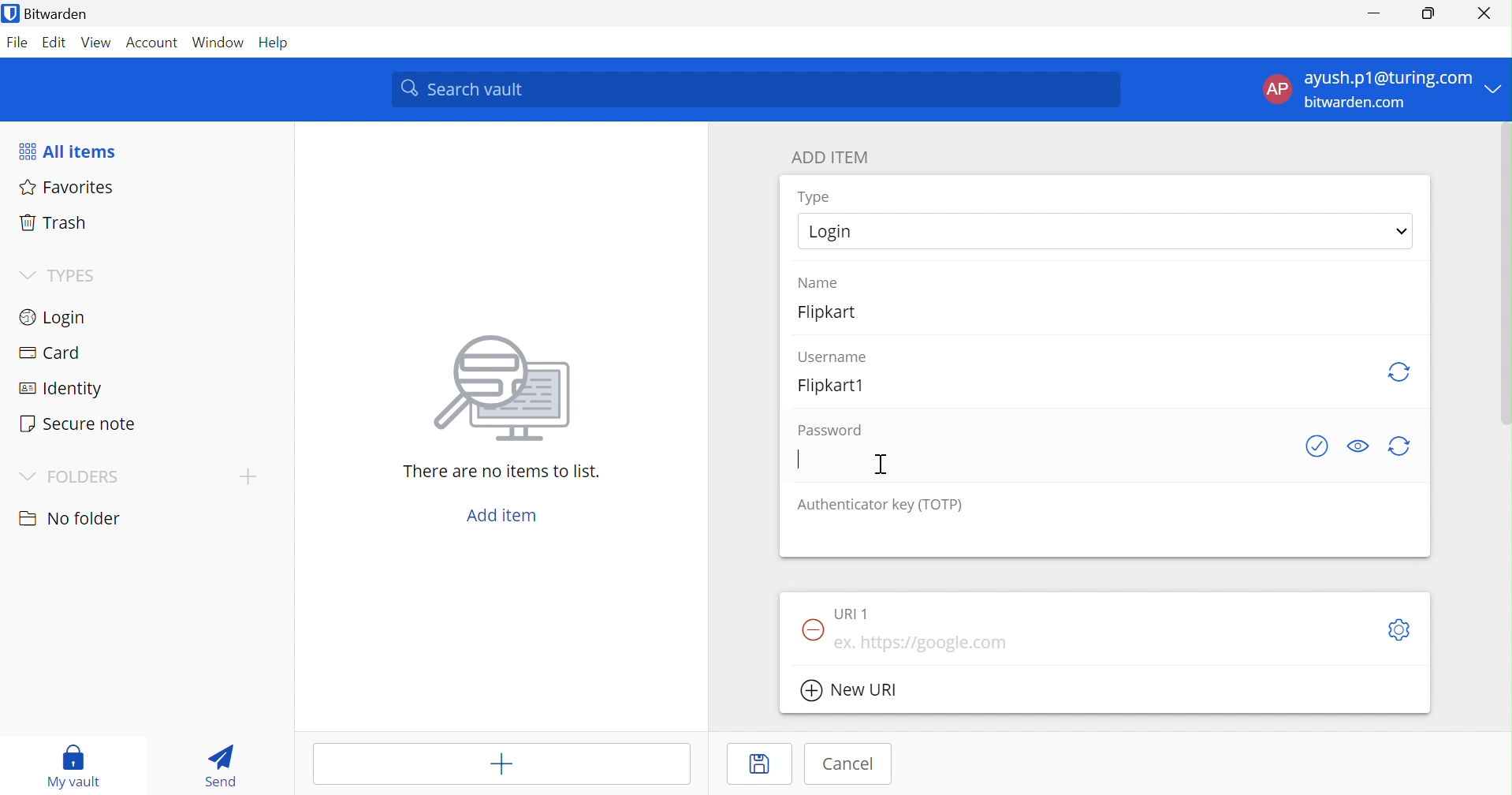 The image size is (1512, 795). What do you see at coordinates (814, 197) in the screenshot?
I see `Type` at bounding box center [814, 197].